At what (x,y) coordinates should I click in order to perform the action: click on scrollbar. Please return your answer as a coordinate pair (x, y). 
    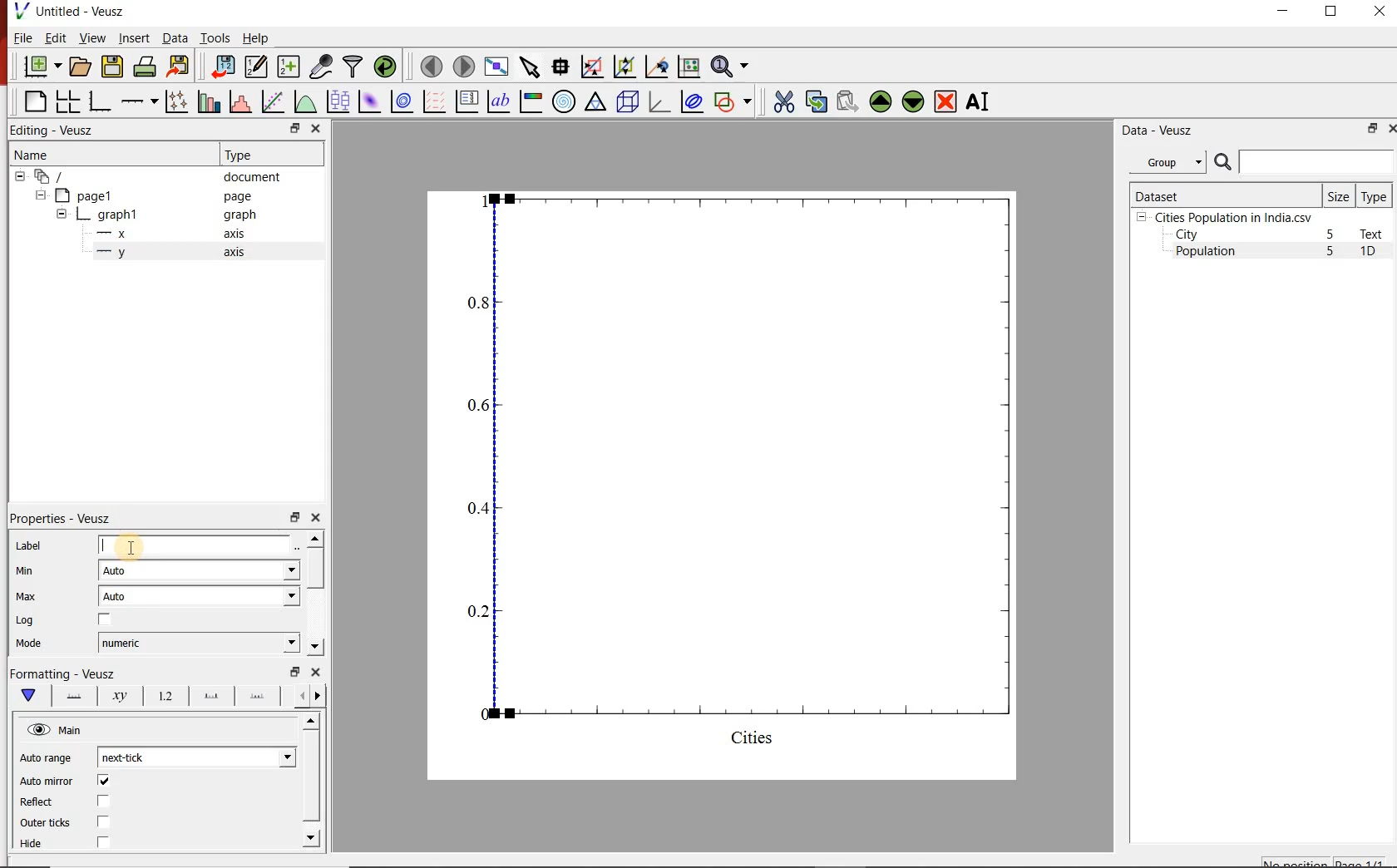
    Looking at the image, I should click on (313, 782).